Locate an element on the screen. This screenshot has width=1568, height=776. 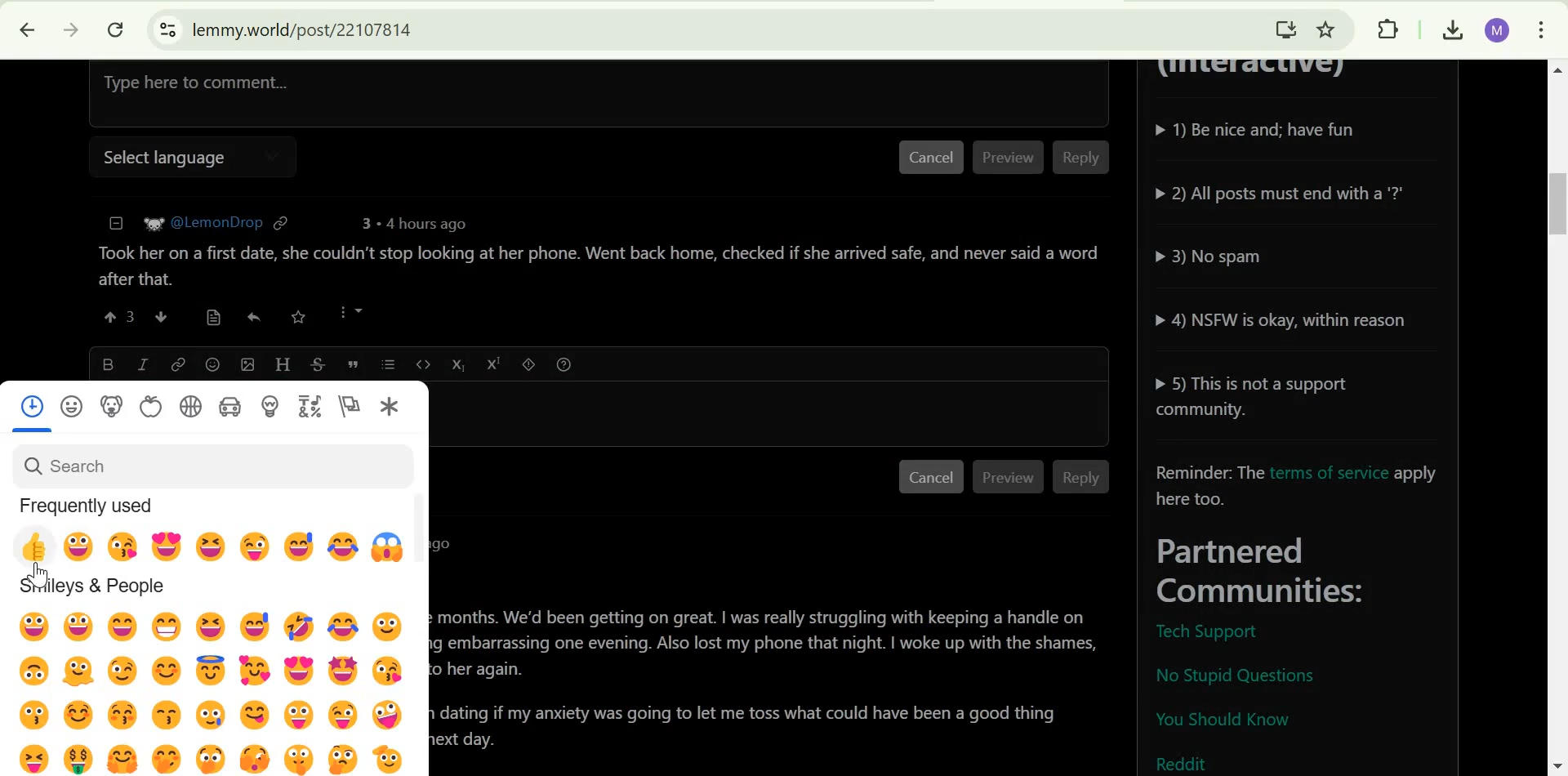
Emoji is located at coordinates (213, 365).